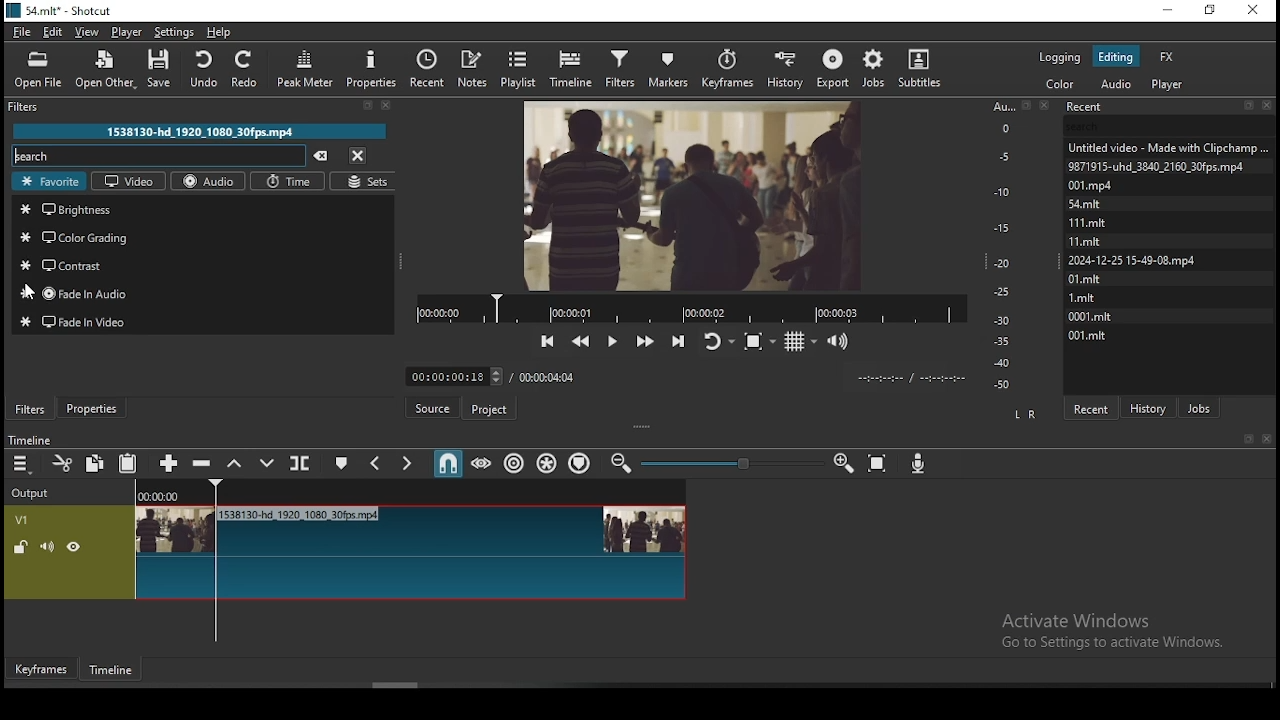 The width and height of the screenshot is (1280, 720). I want to click on subtitles, so click(920, 69).